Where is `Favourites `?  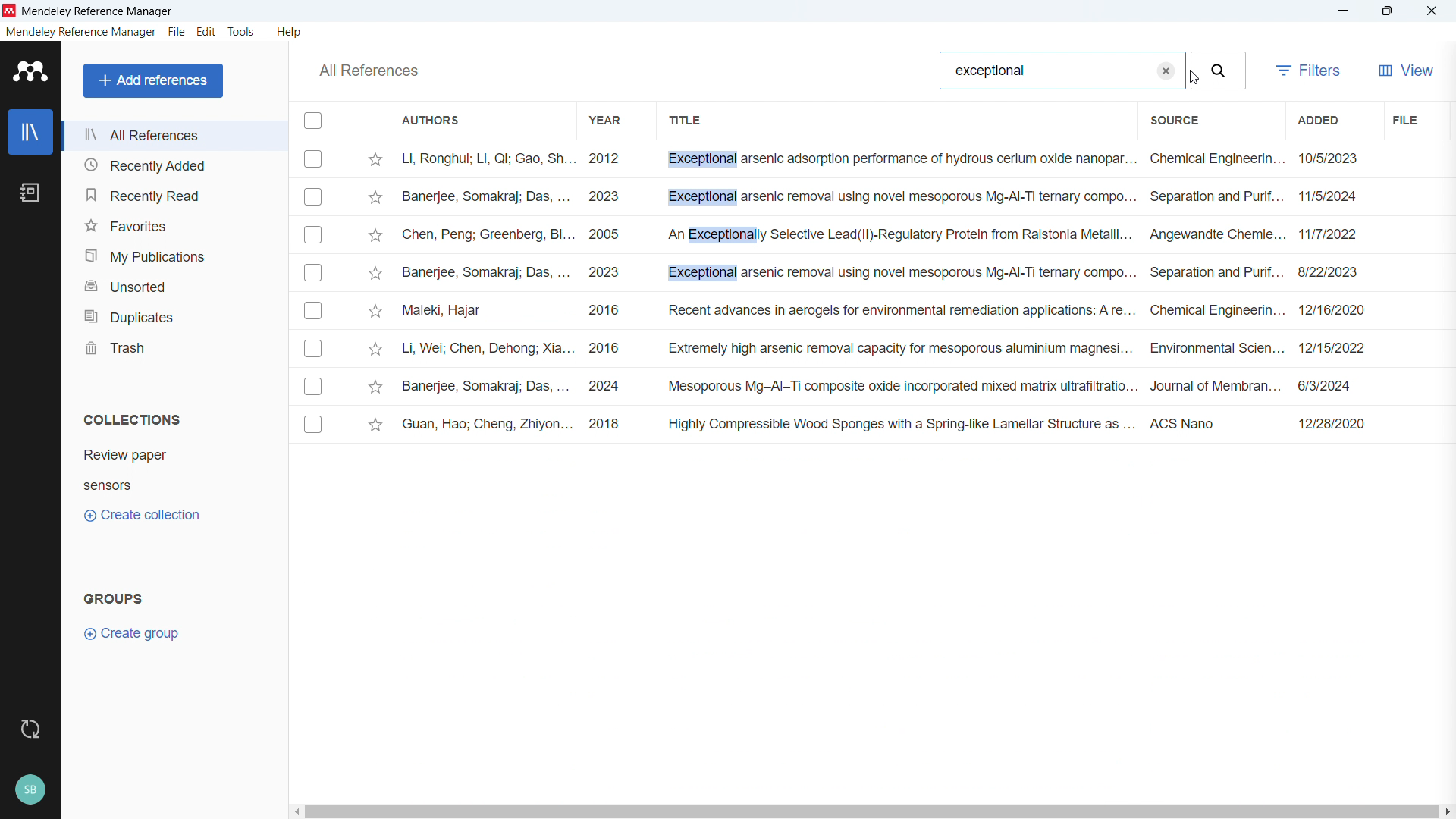 Favourites  is located at coordinates (174, 224).